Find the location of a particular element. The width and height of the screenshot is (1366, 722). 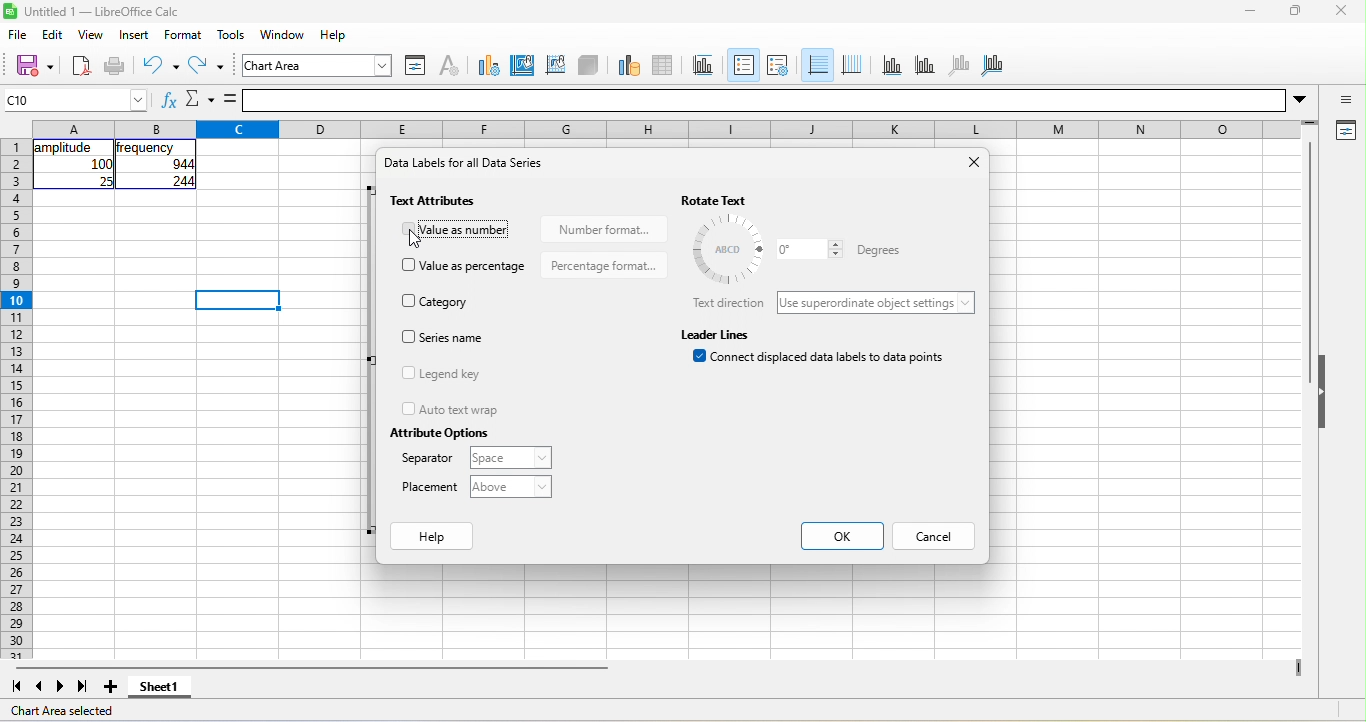

use superordinate object settings is located at coordinates (879, 303).